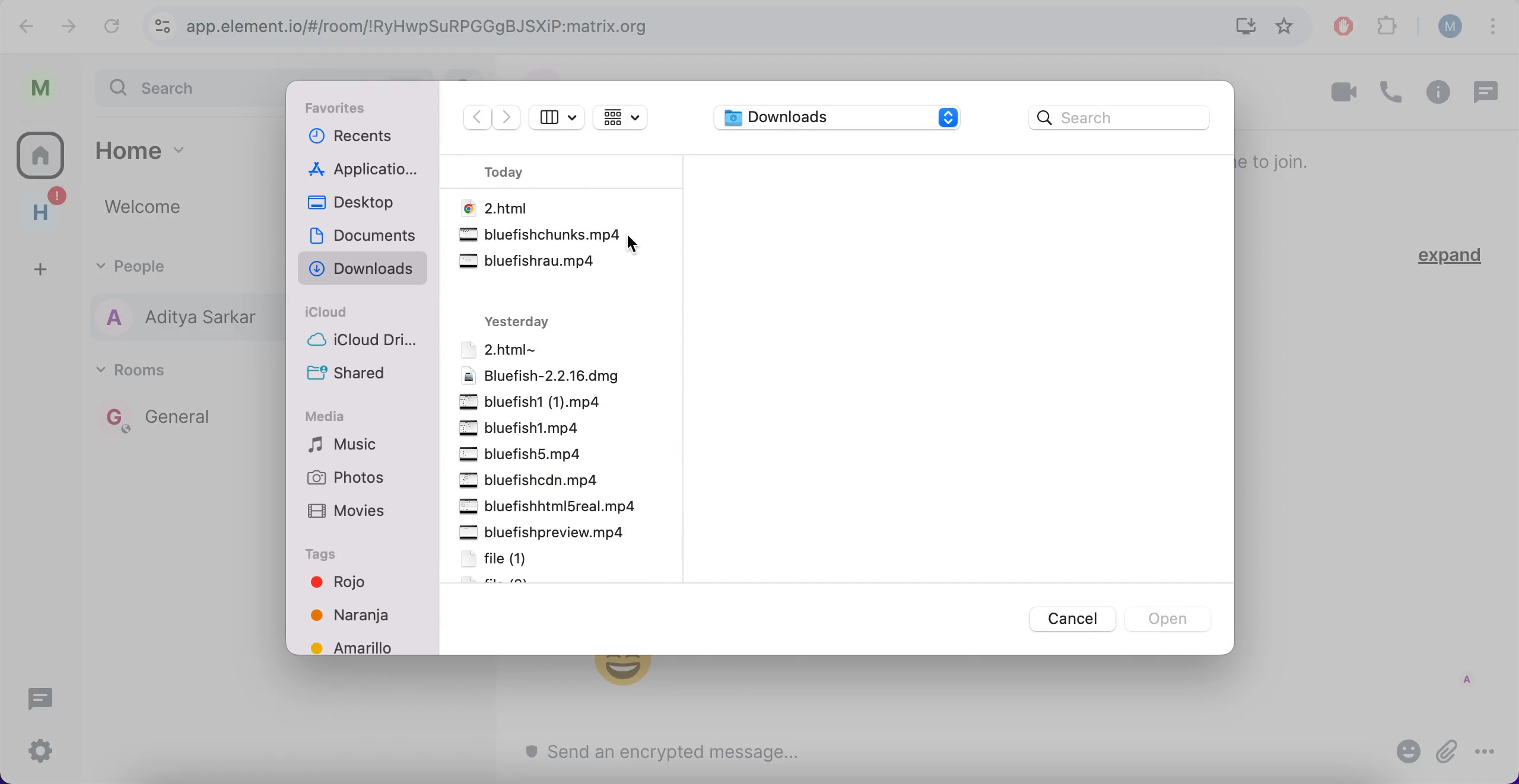 The height and width of the screenshot is (784, 1519). What do you see at coordinates (42, 209) in the screenshot?
I see `home` at bounding box center [42, 209].